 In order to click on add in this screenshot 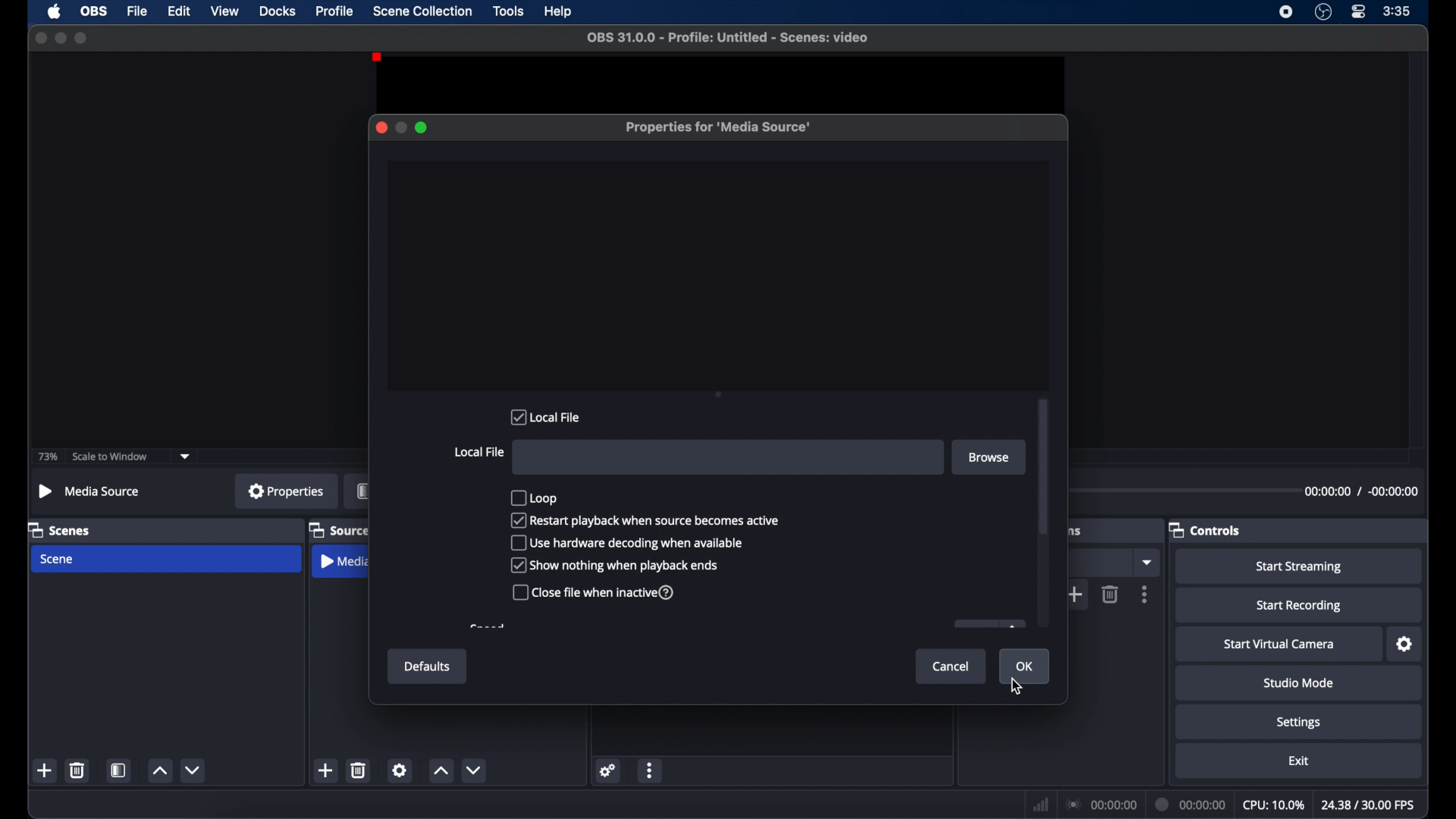, I will do `click(45, 770)`.